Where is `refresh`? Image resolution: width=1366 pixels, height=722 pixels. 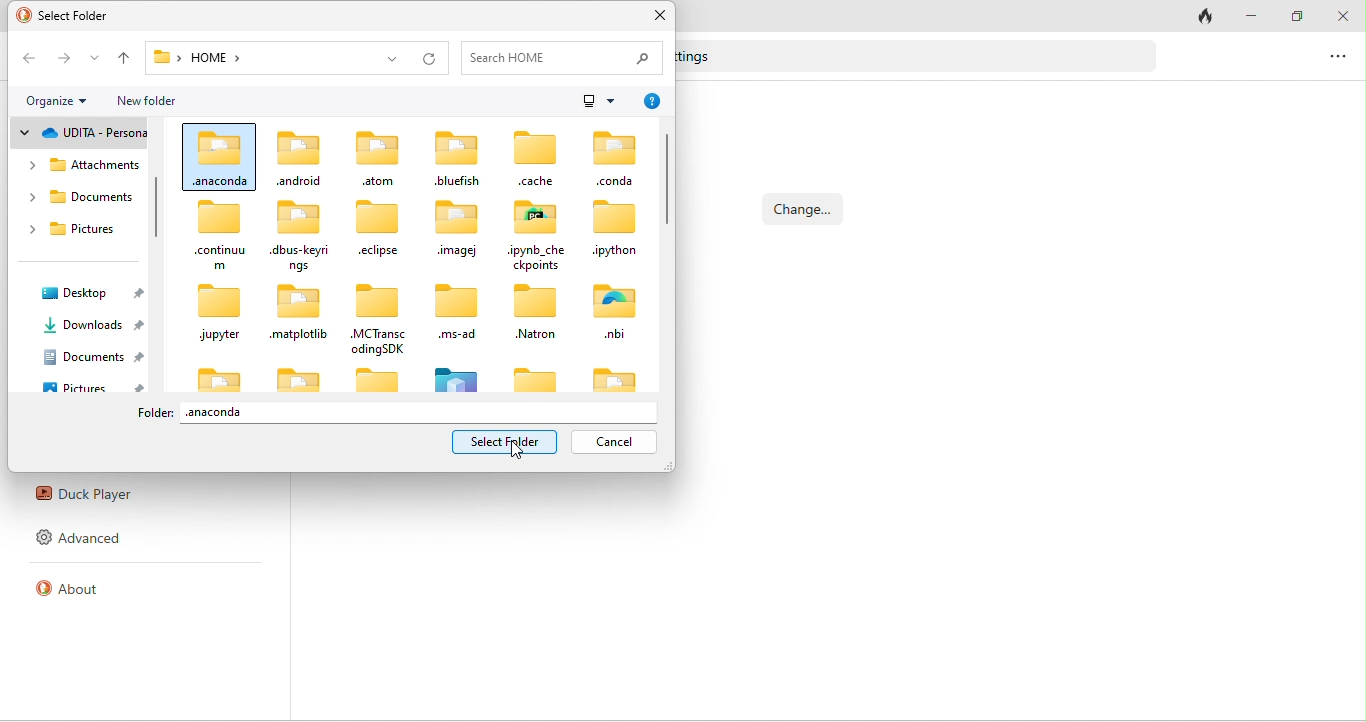
refresh is located at coordinates (433, 57).